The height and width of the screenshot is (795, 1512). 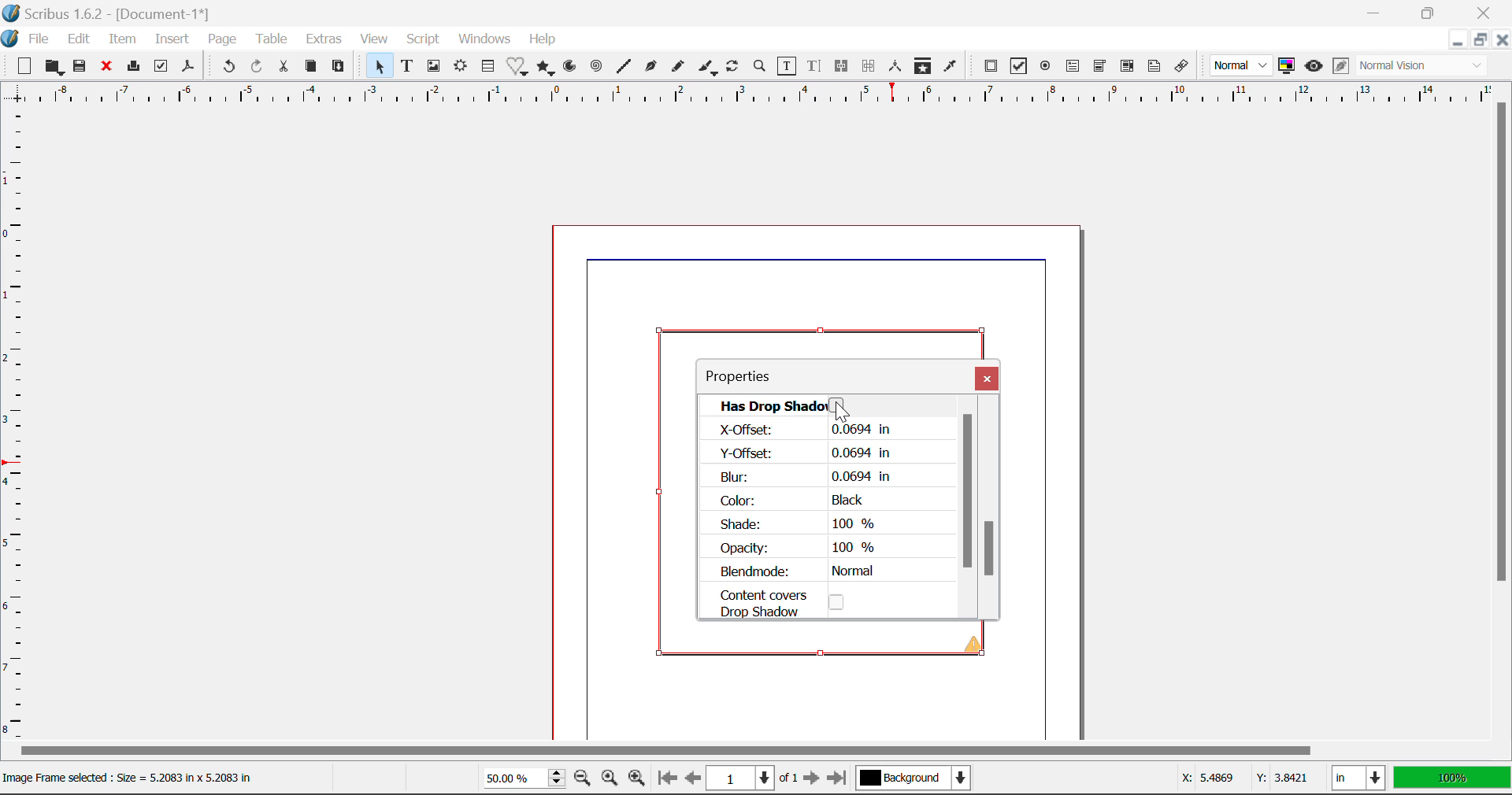 What do you see at coordinates (806, 453) in the screenshot?
I see `Y-Offset: 0.0694 in` at bounding box center [806, 453].